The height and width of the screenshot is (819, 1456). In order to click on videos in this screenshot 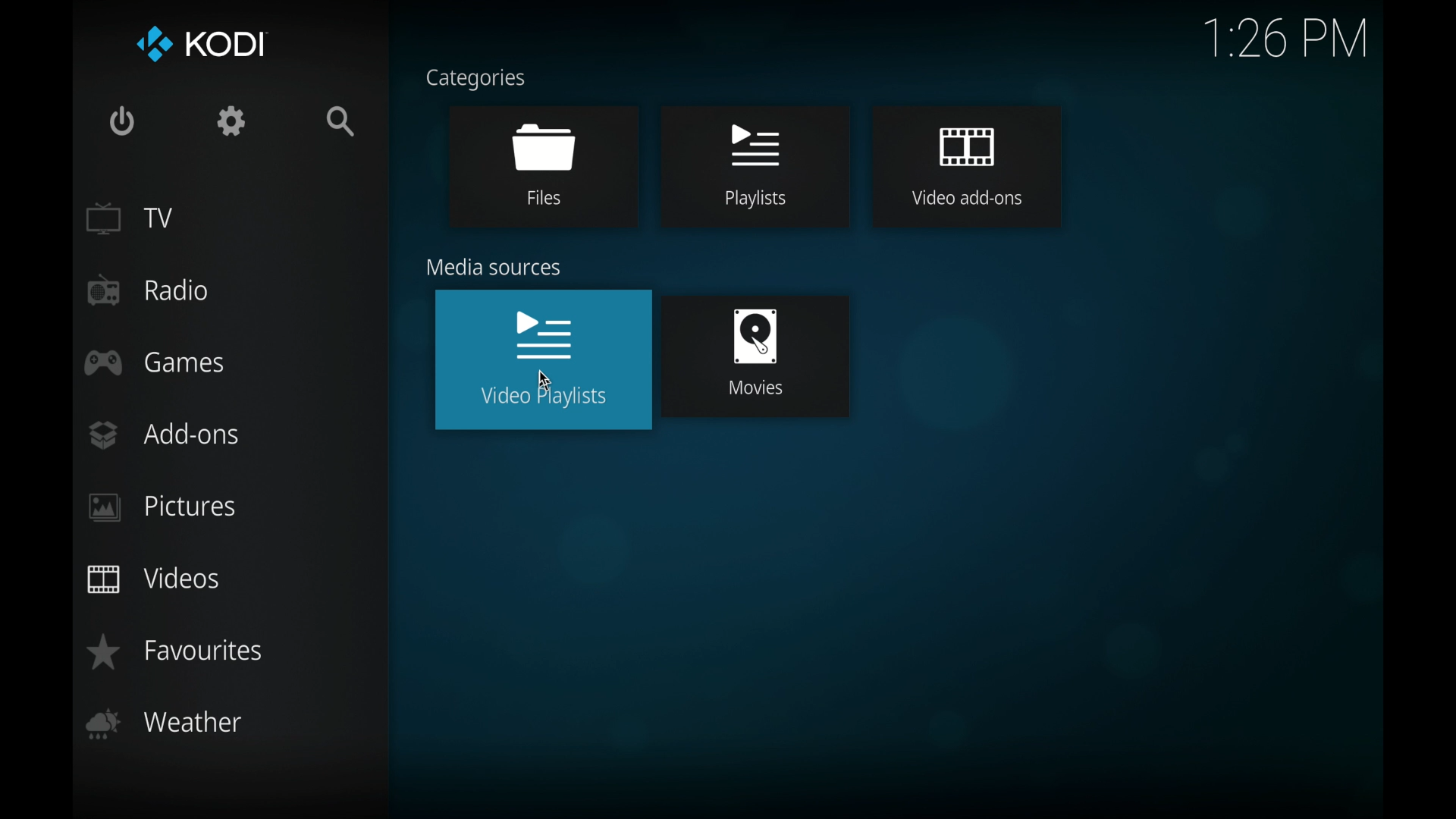, I will do `click(232, 579)`.